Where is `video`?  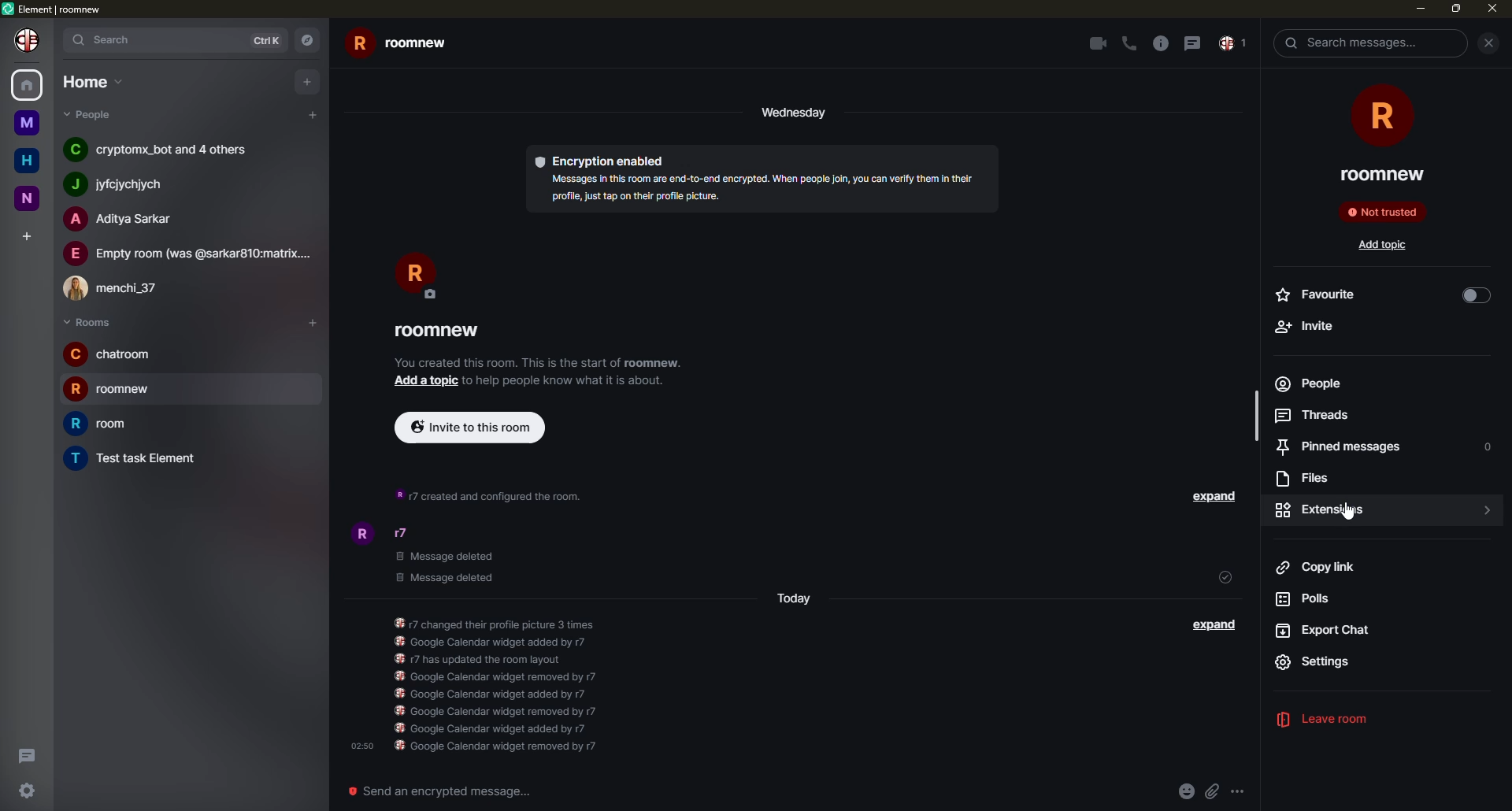 video is located at coordinates (1097, 44).